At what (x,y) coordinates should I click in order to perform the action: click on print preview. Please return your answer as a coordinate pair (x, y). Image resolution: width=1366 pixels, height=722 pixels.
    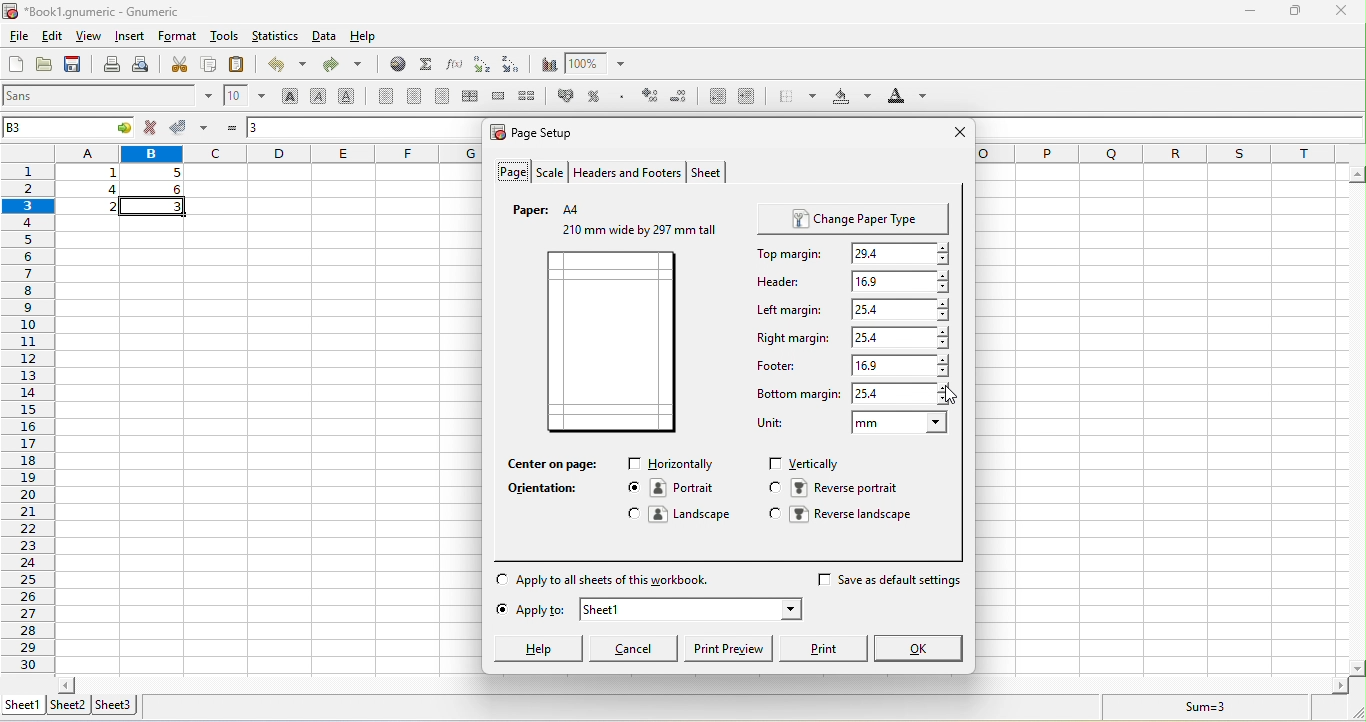
    Looking at the image, I should click on (728, 649).